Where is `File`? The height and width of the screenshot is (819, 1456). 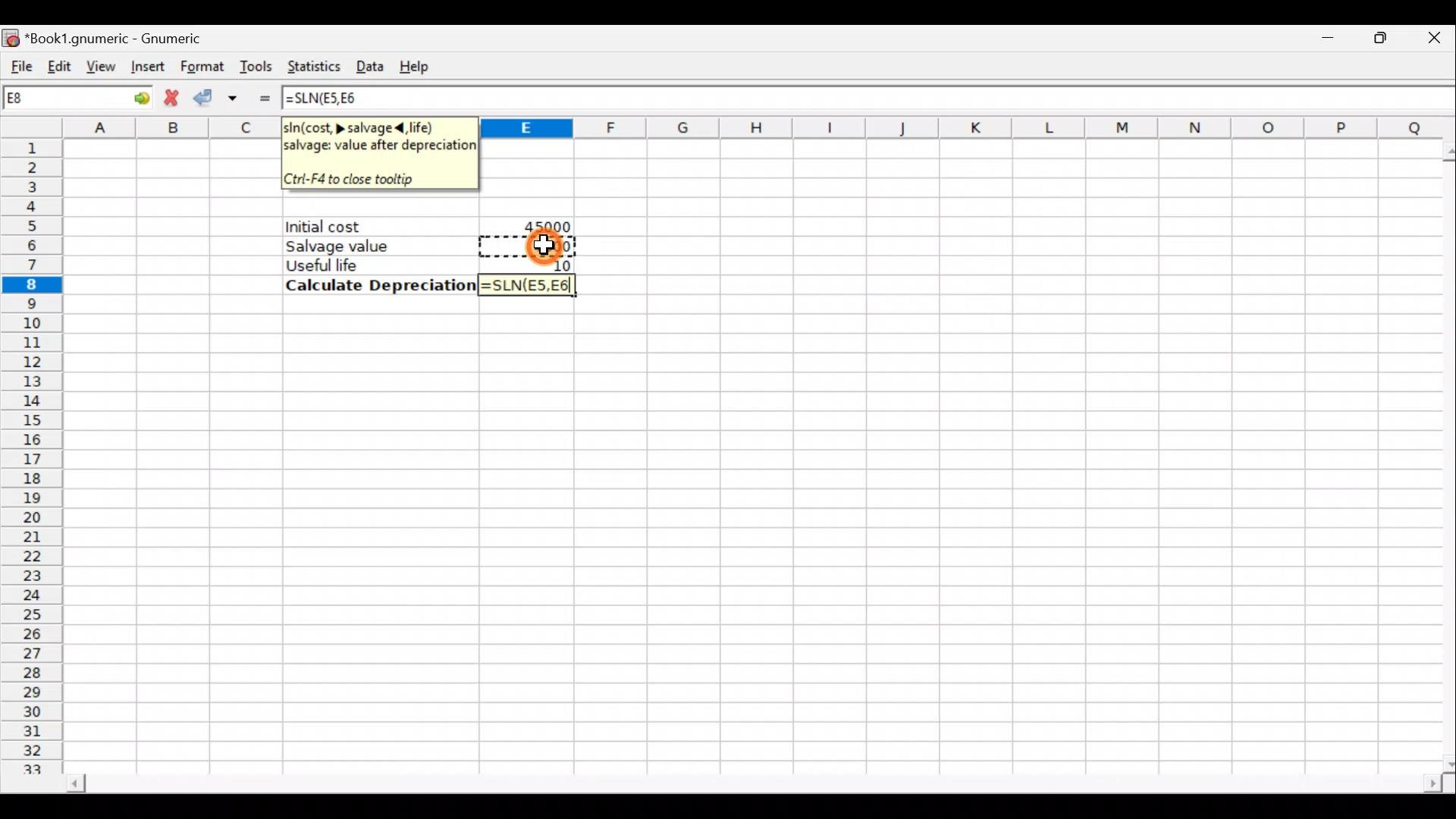 File is located at coordinates (19, 61).